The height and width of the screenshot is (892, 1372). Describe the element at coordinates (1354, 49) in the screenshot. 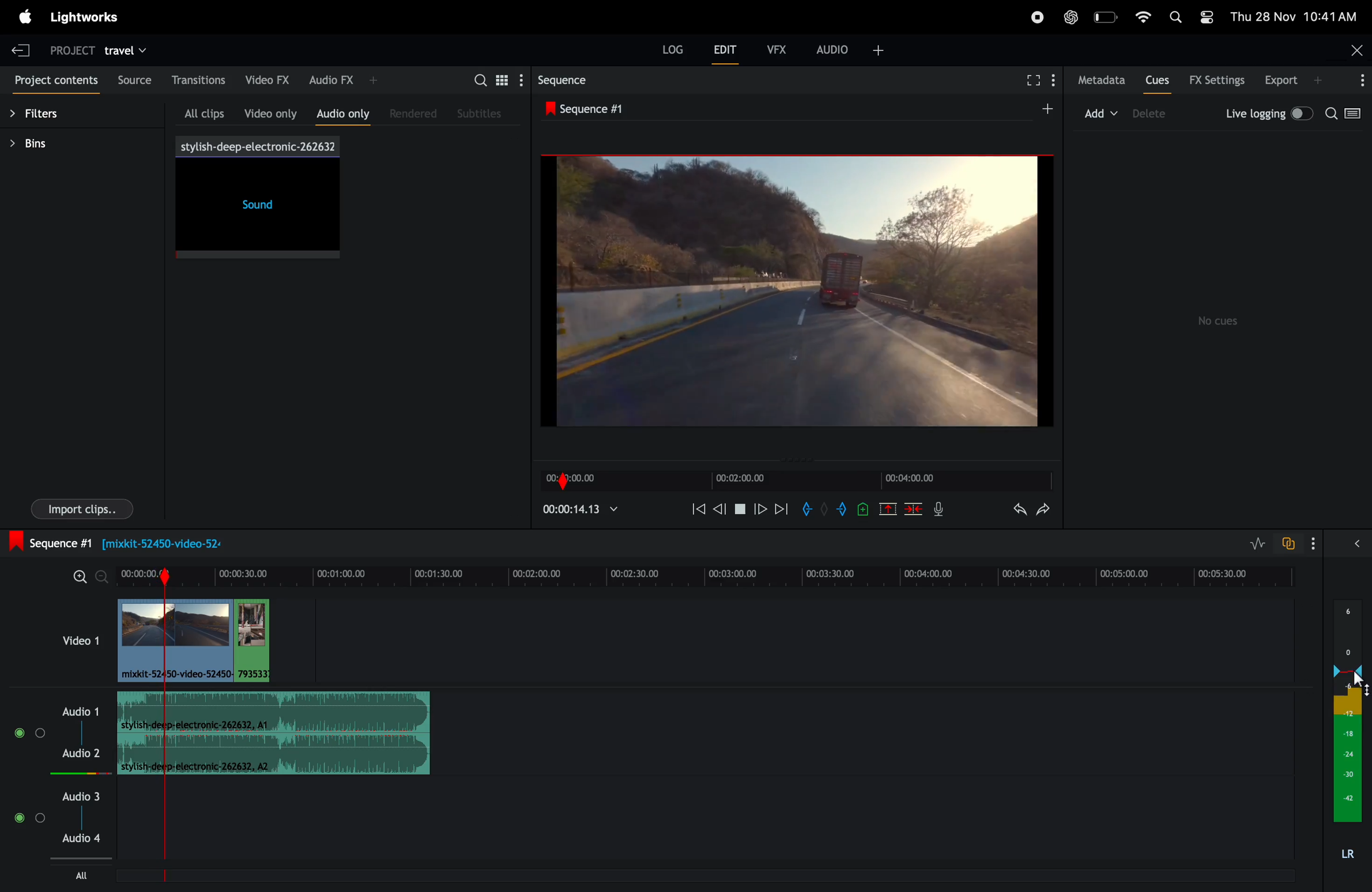

I see `close` at that location.